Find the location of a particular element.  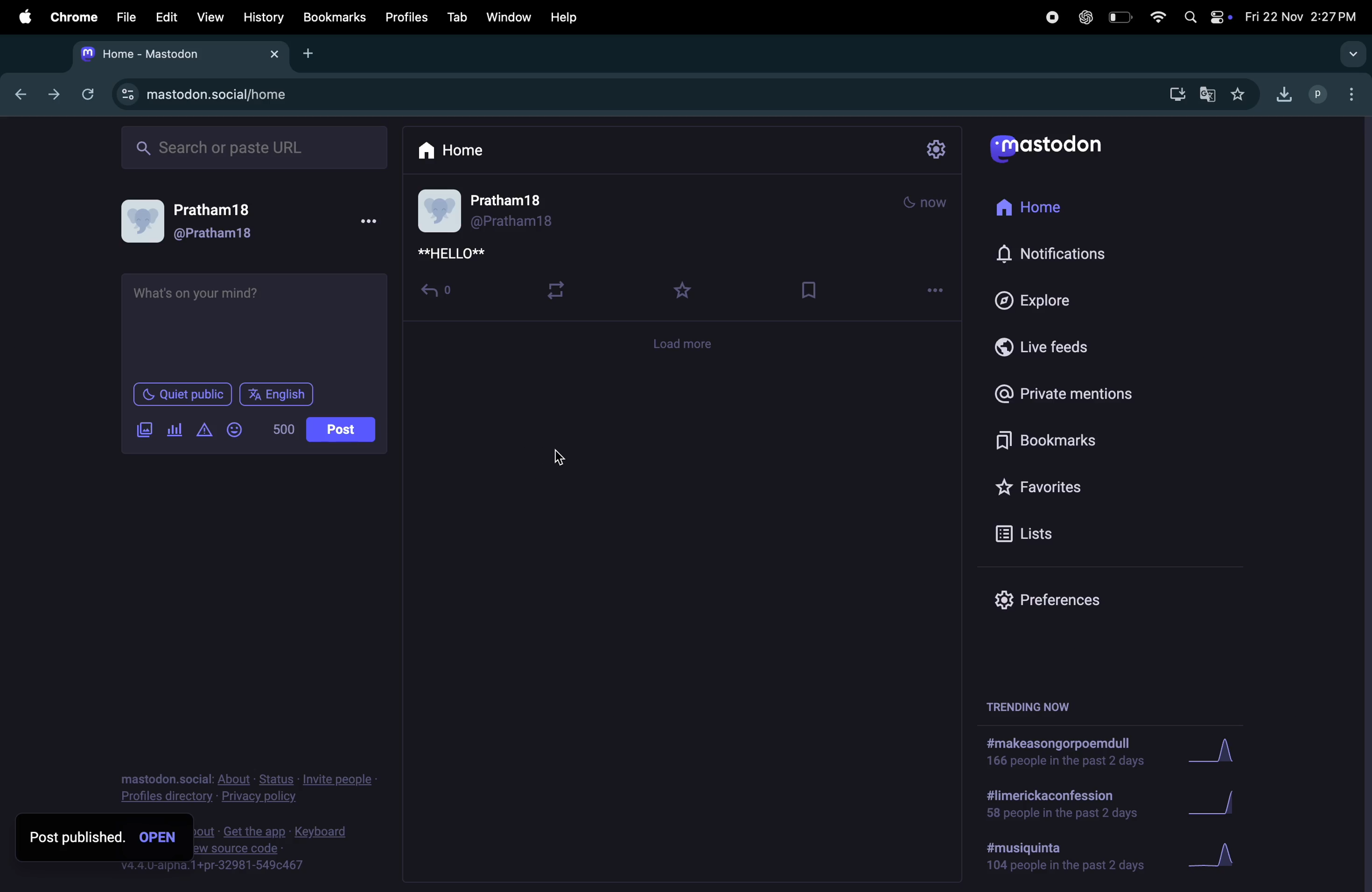

user profile is located at coordinates (142, 221).